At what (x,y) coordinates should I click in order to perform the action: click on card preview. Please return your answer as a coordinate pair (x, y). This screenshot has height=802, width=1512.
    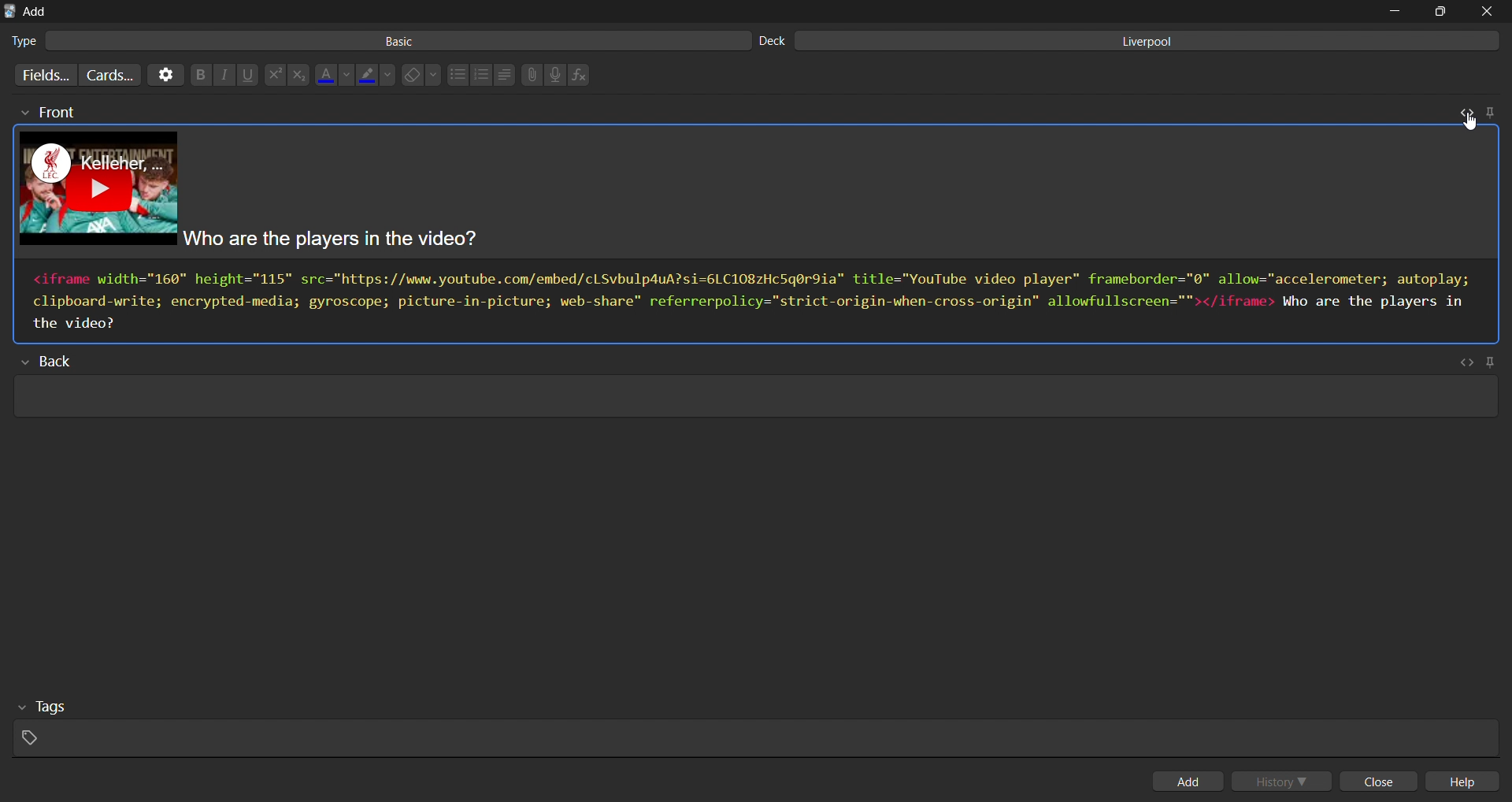
    Looking at the image, I should click on (760, 195).